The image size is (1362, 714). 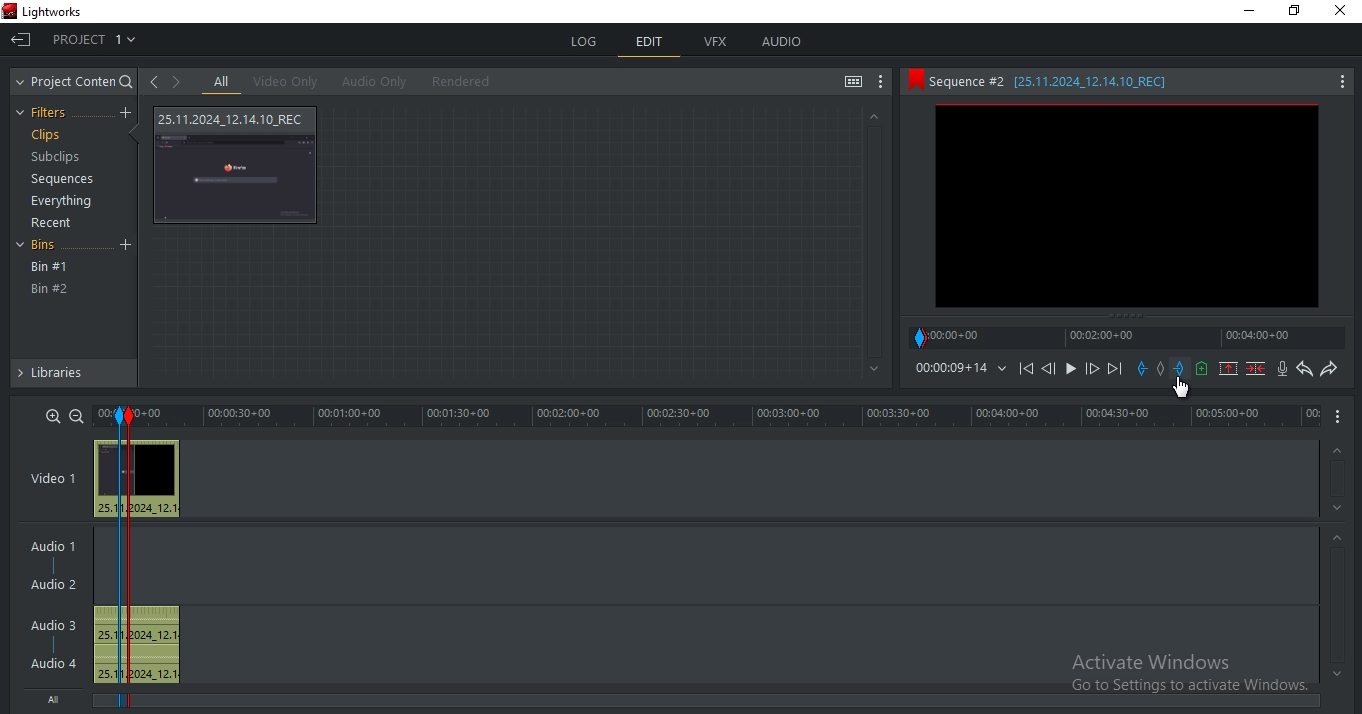 I want to click on add an out mark, so click(x=1180, y=368).